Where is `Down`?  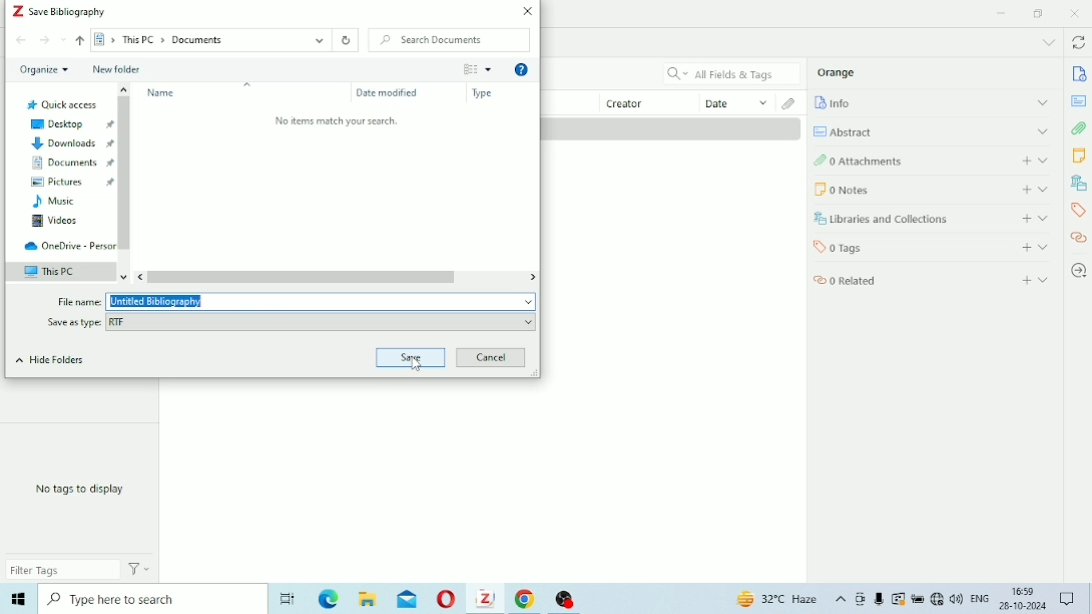
Down is located at coordinates (126, 274).